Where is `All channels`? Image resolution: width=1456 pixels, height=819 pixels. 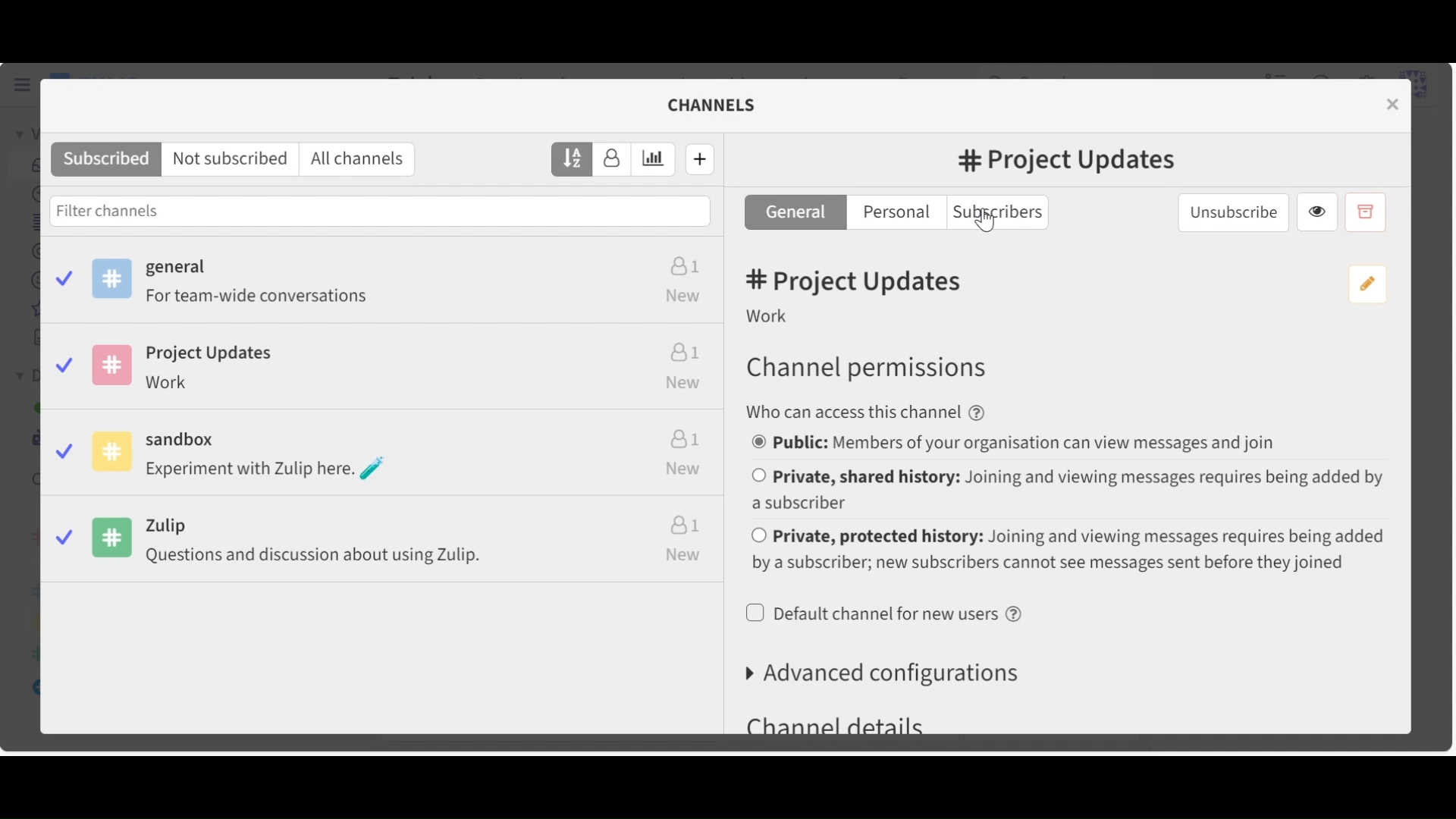
All channels is located at coordinates (359, 159).